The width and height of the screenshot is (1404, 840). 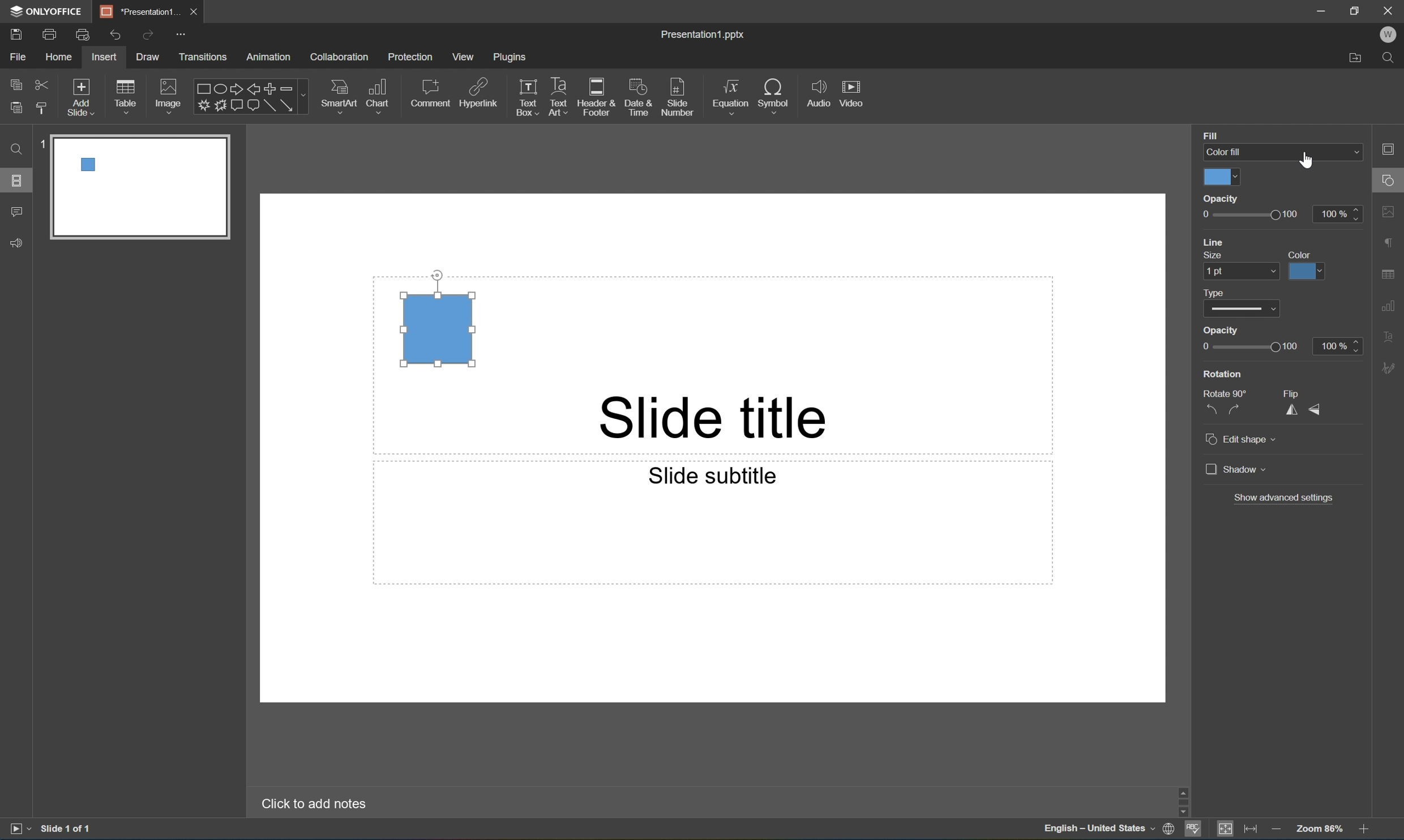 What do you see at coordinates (1270, 271) in the screenshot?
I see `Drop Down` at bounding box center [1270, 271].